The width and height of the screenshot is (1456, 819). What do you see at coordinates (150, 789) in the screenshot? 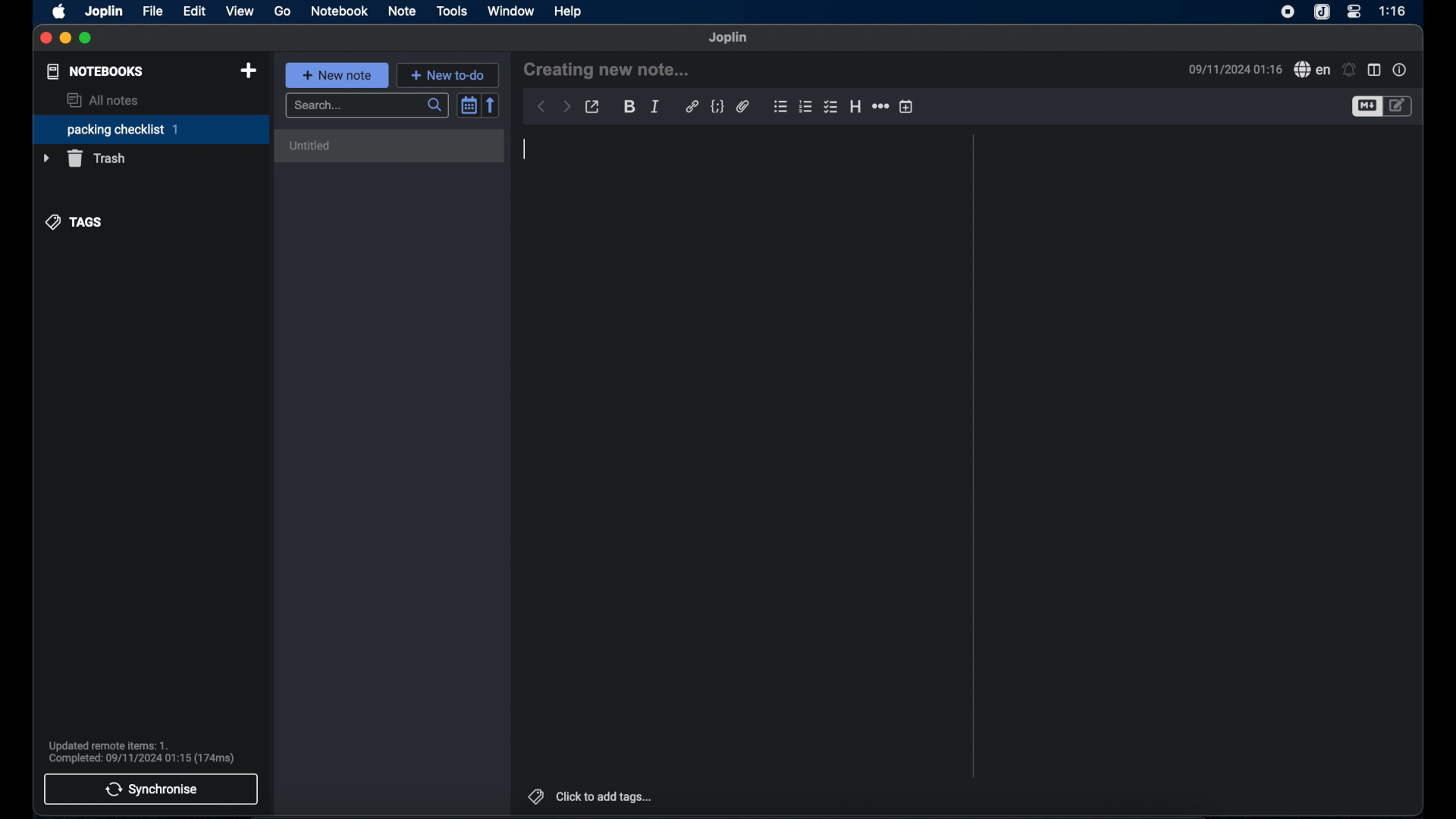
I see `synchronise` at bounding box center [150, 789].